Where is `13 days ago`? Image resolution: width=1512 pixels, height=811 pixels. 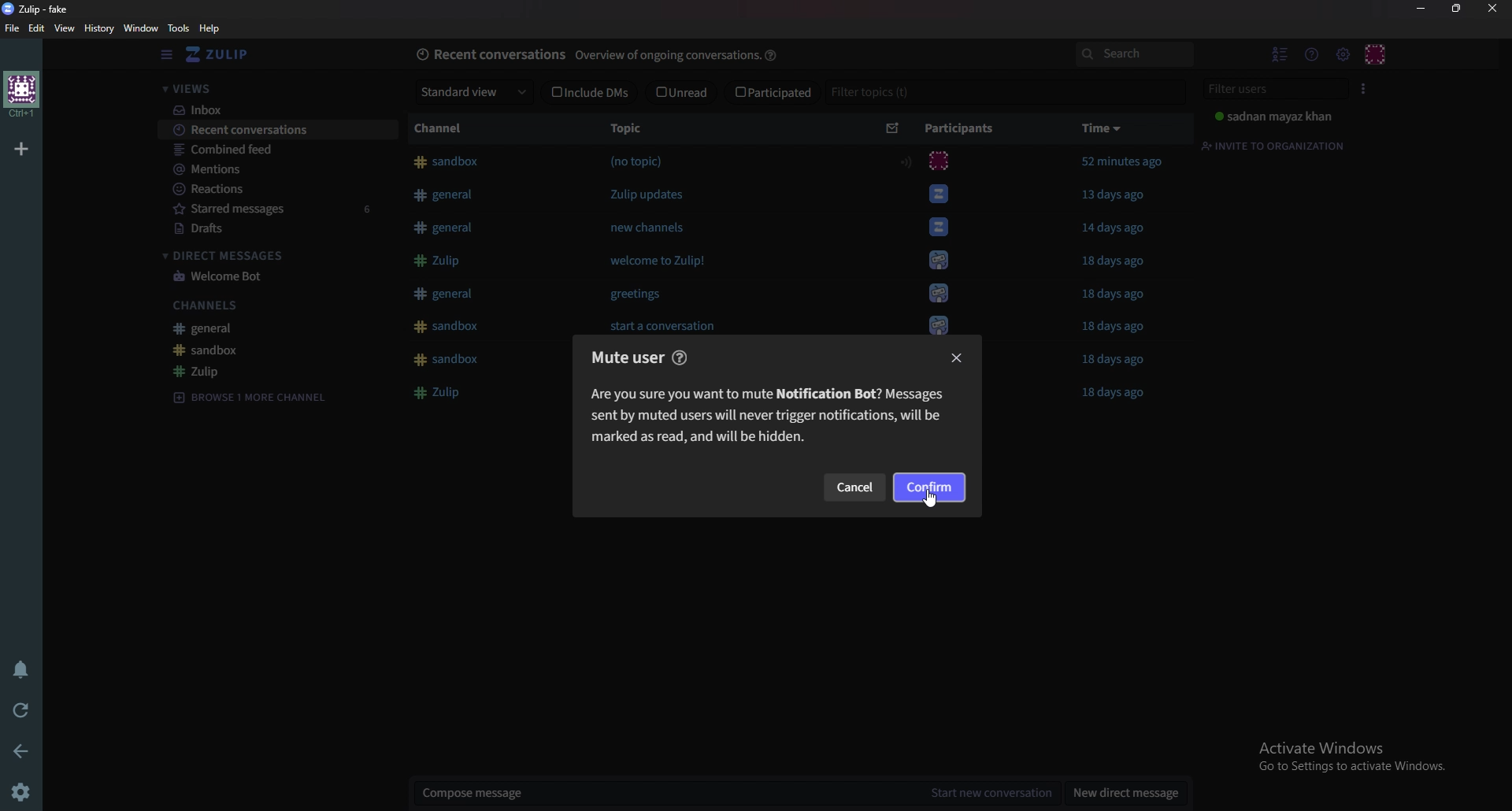
13 days ago is located at coordinates (1113, 194).